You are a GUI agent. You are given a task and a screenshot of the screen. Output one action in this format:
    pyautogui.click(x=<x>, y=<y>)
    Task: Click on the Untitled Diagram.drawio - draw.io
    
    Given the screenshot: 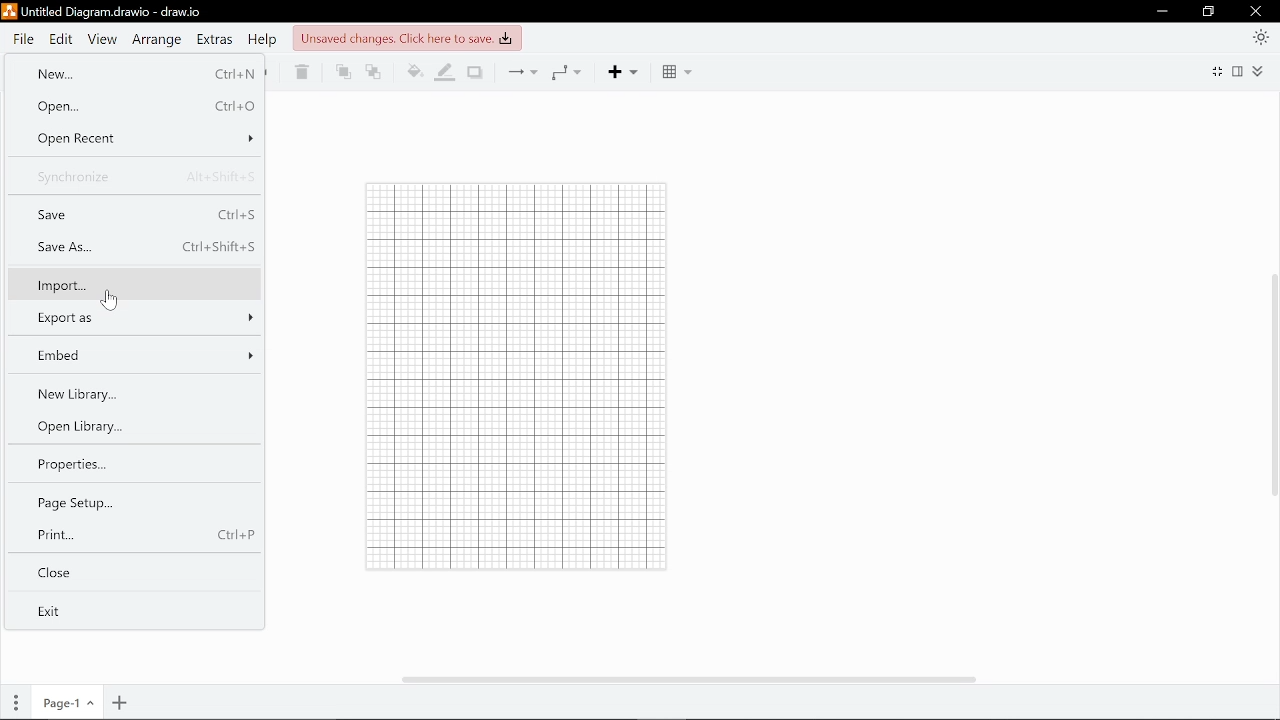 What is the action you would take?
    pyautogui.click(x=116, y=12)
    